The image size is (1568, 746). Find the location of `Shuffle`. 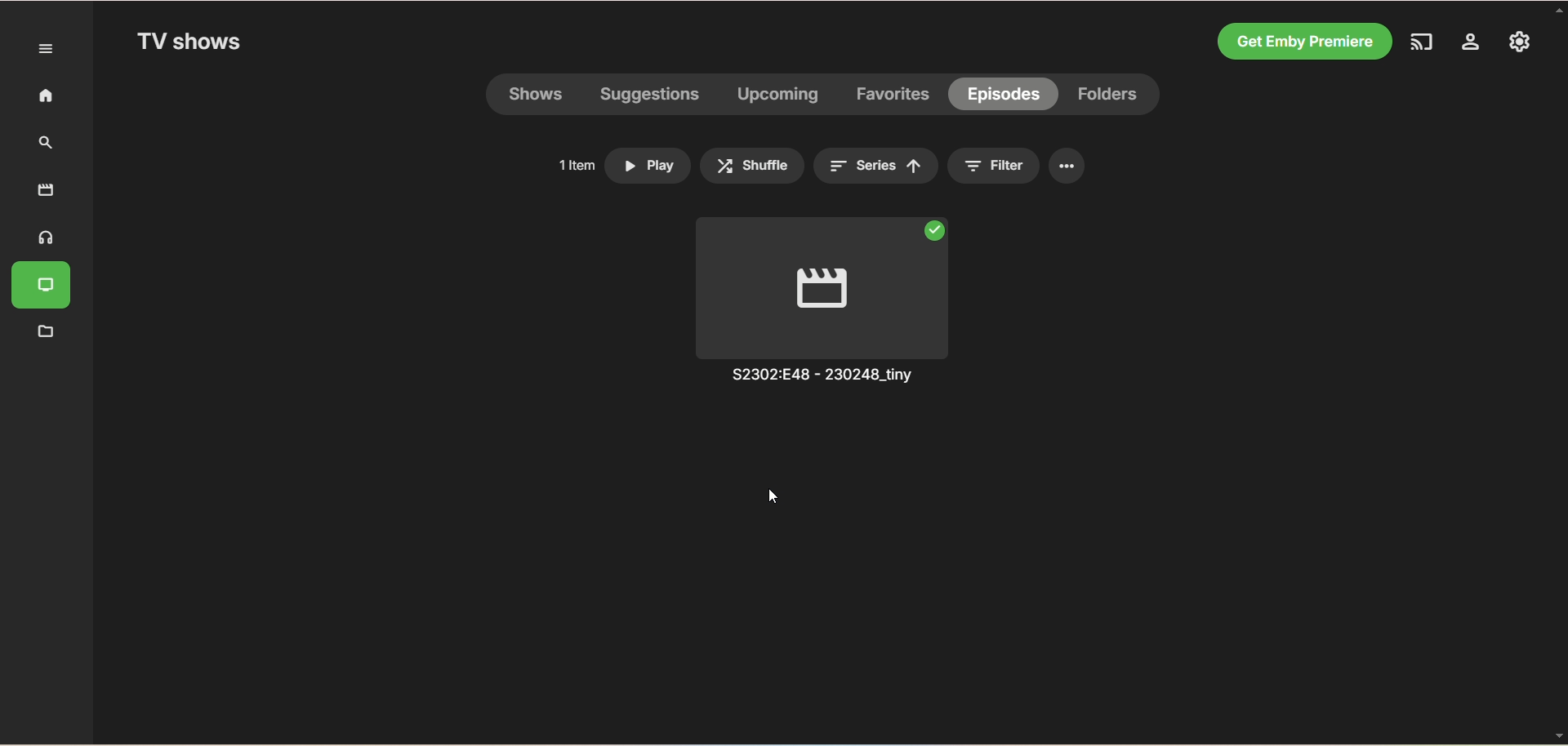

Shuffle is located at coordinates (751, 165).